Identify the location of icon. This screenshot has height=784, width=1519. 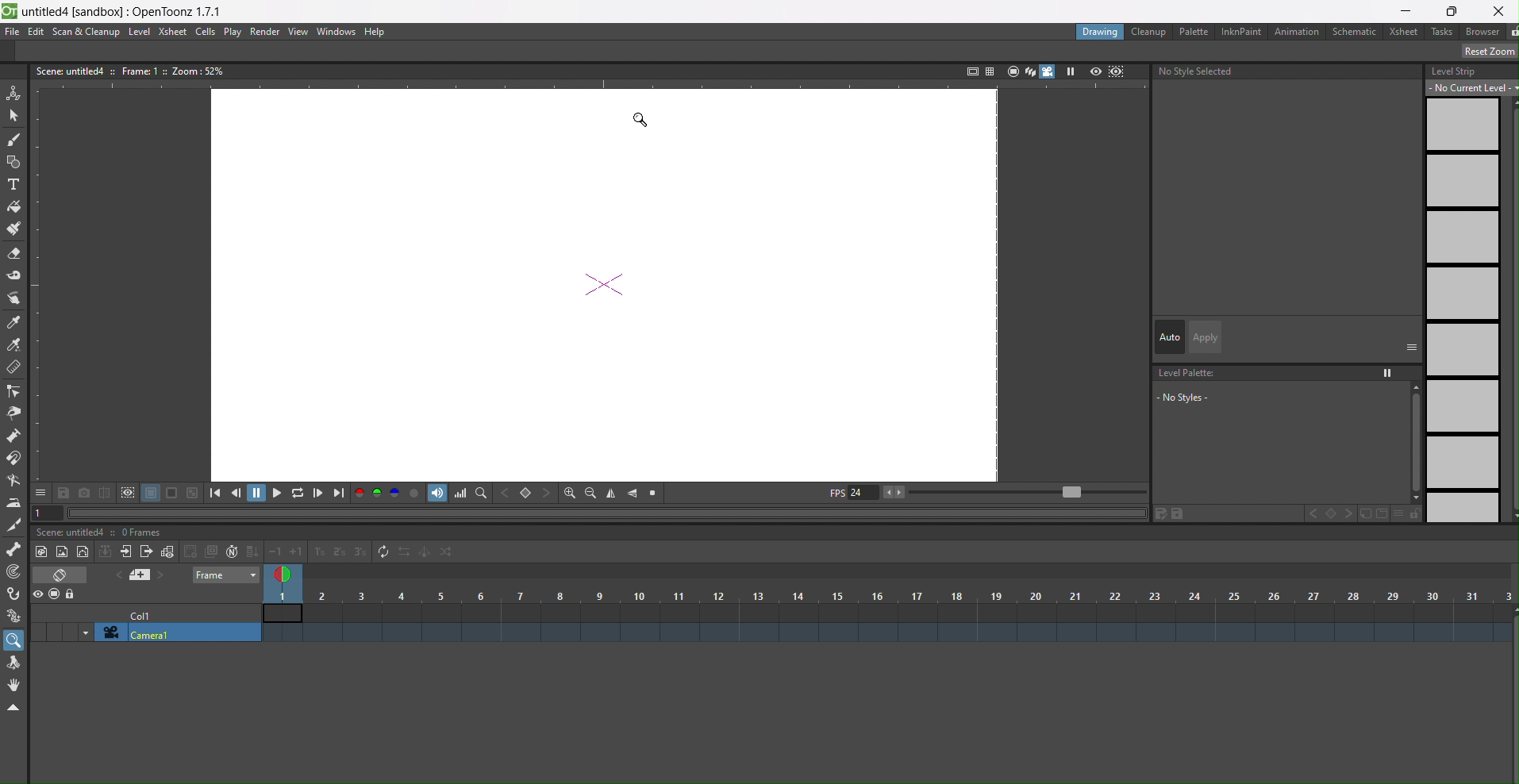
(1107, 71).